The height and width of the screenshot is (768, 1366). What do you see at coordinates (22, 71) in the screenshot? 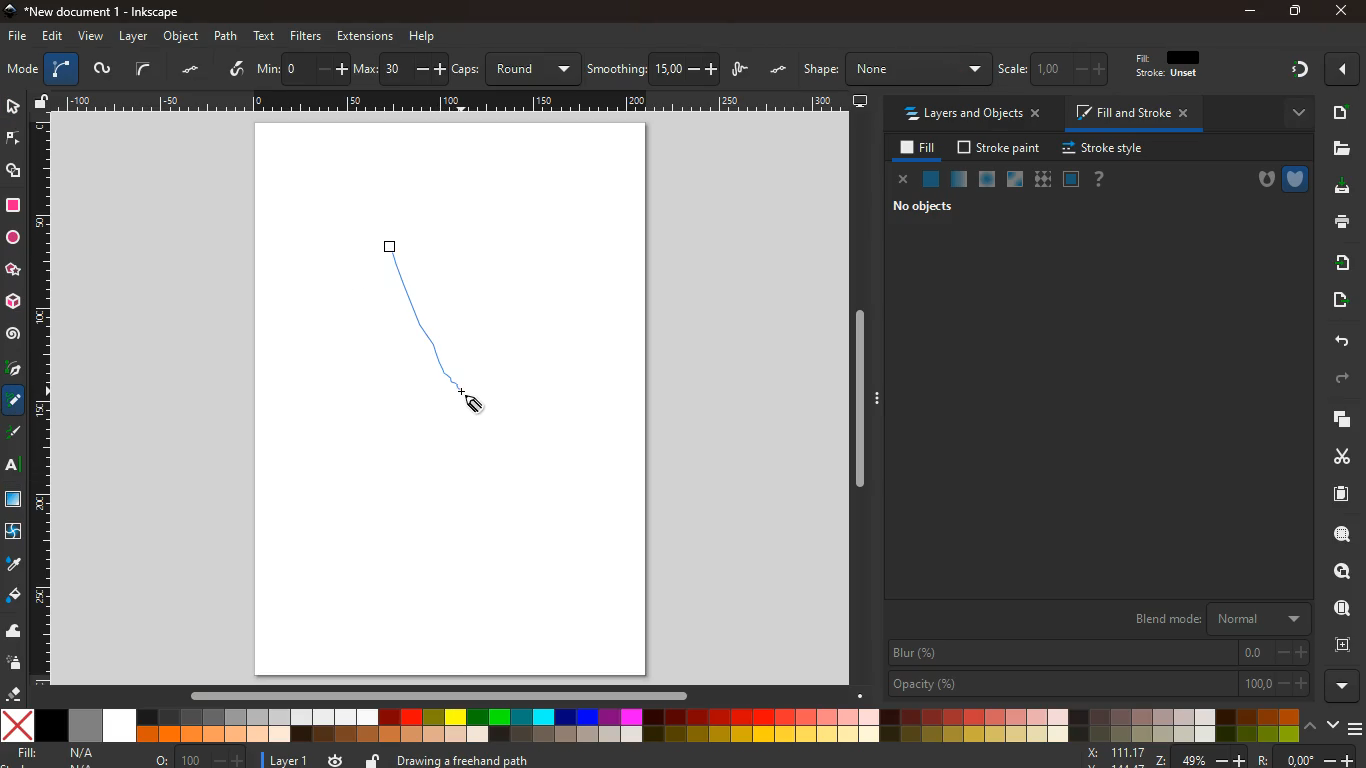
I see `mode` at bounding box center [22, 71].